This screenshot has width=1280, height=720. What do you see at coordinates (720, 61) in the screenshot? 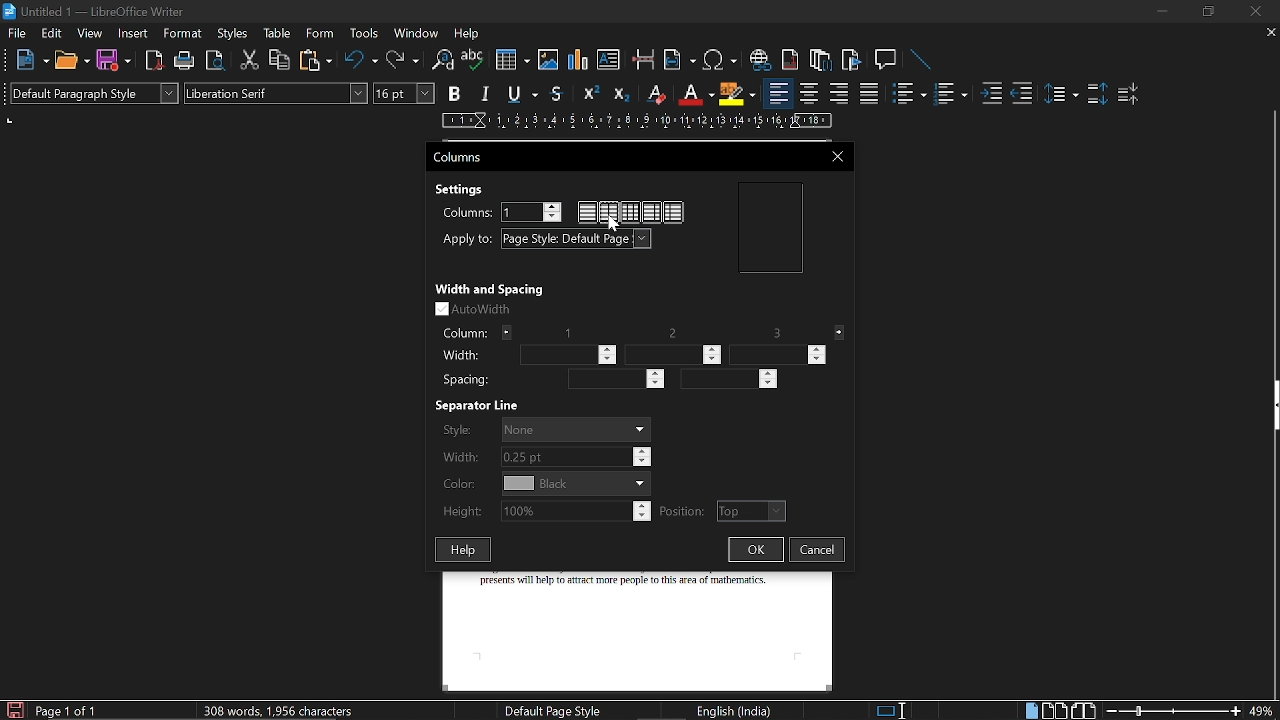
I see `insert Symbol` at bounding box center [720, 61].